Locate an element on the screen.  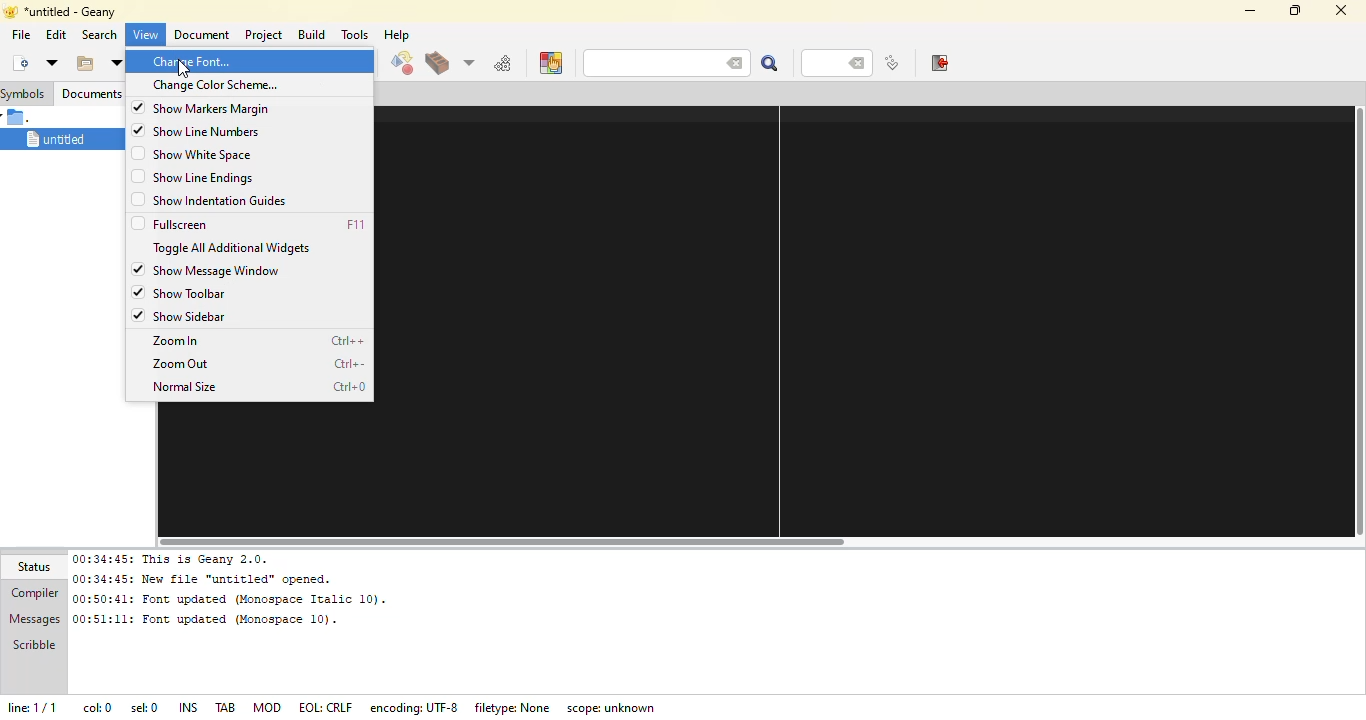
show message window is located at coordinates (219, 270).